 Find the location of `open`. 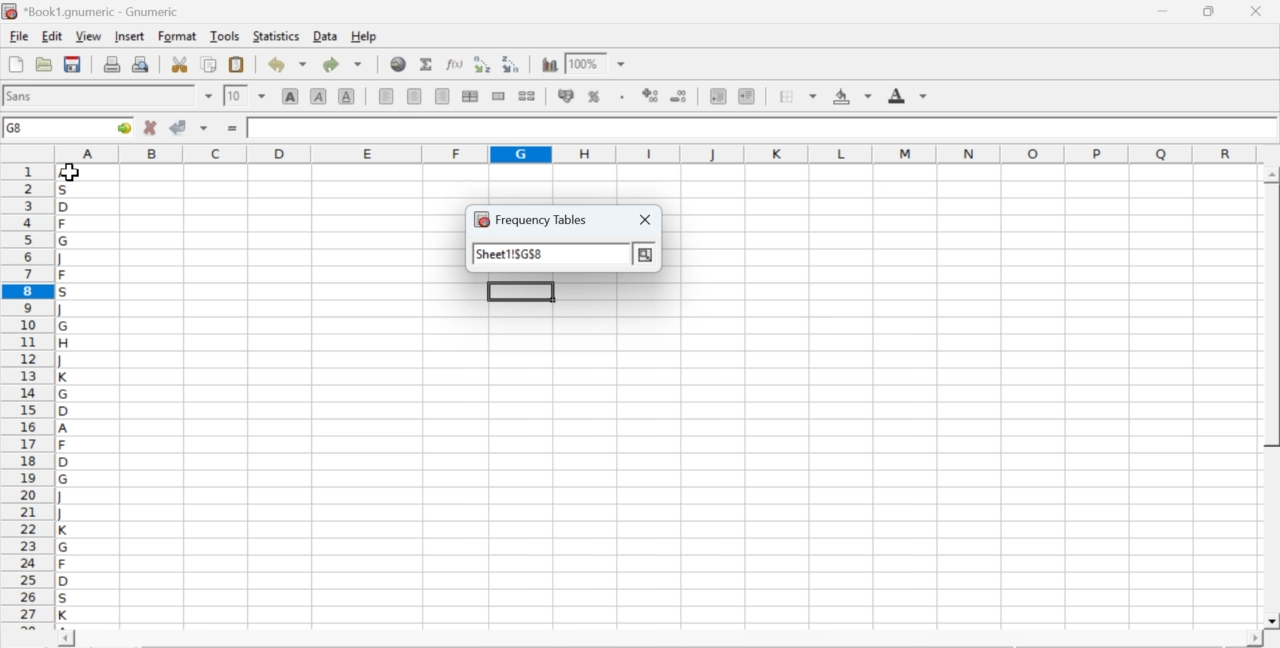

open is located at coordinates (42, 64).